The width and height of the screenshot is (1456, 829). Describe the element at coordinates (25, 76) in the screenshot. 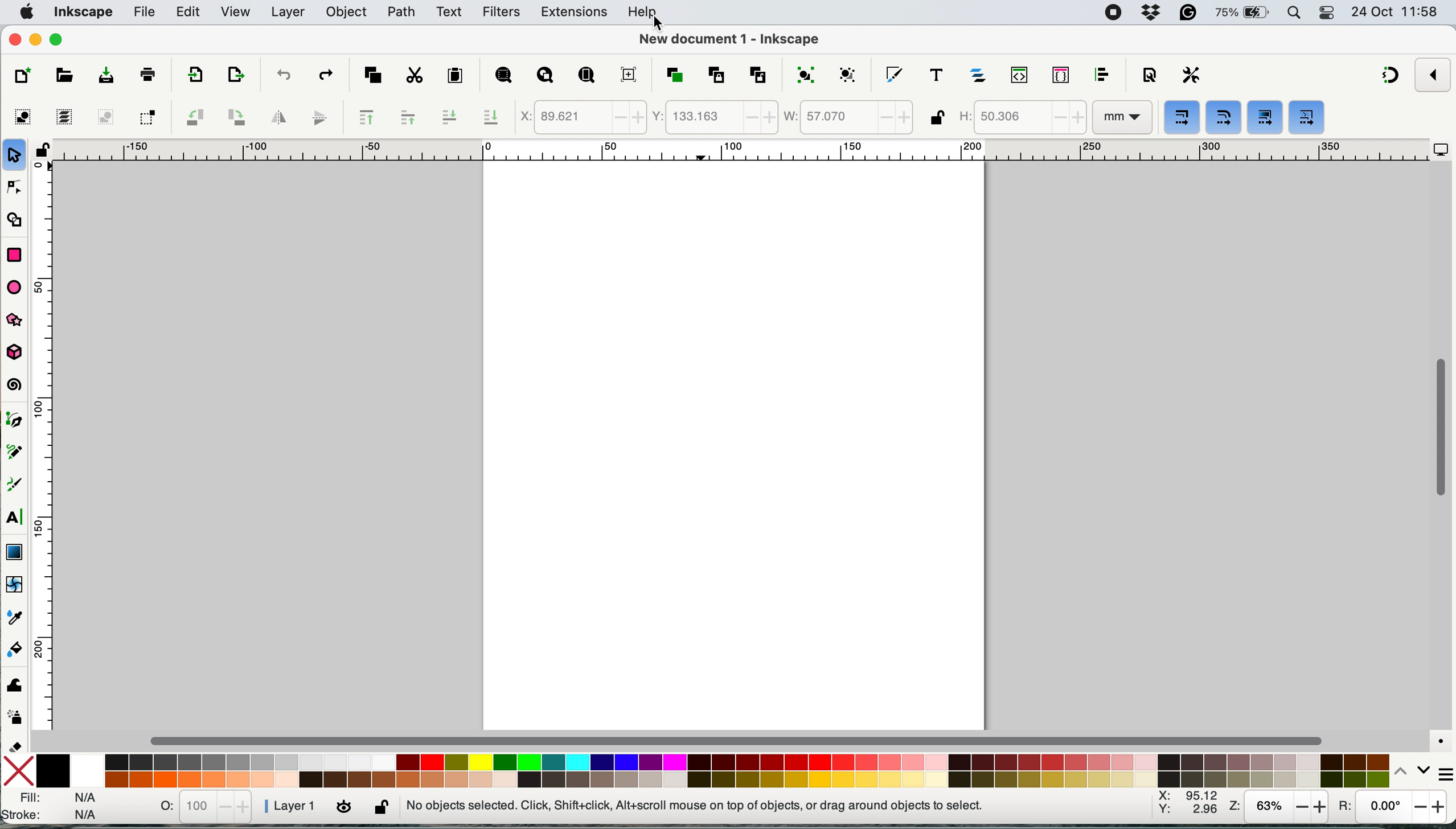

I see `new` at that location.